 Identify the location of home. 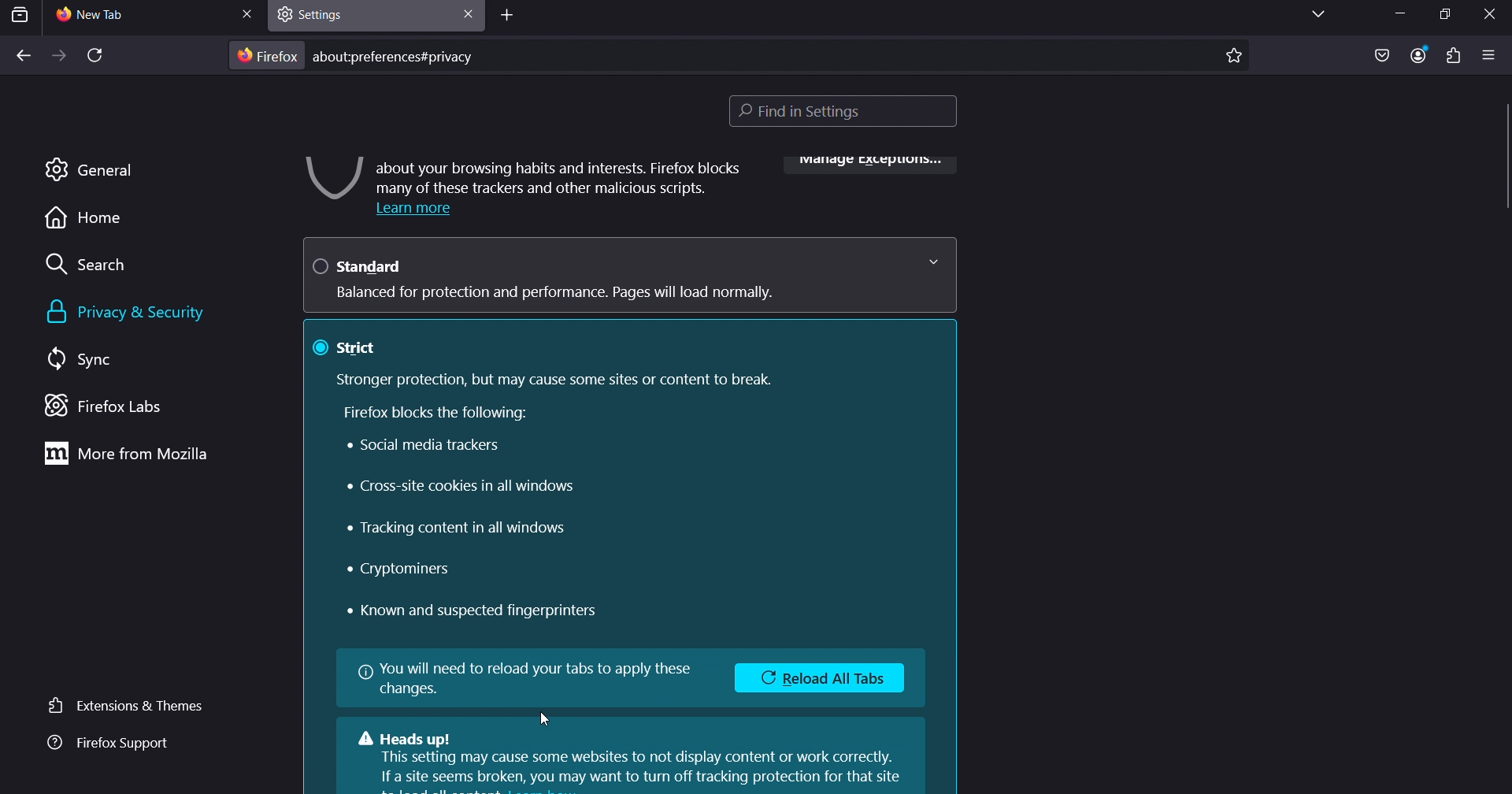
(82, 222).